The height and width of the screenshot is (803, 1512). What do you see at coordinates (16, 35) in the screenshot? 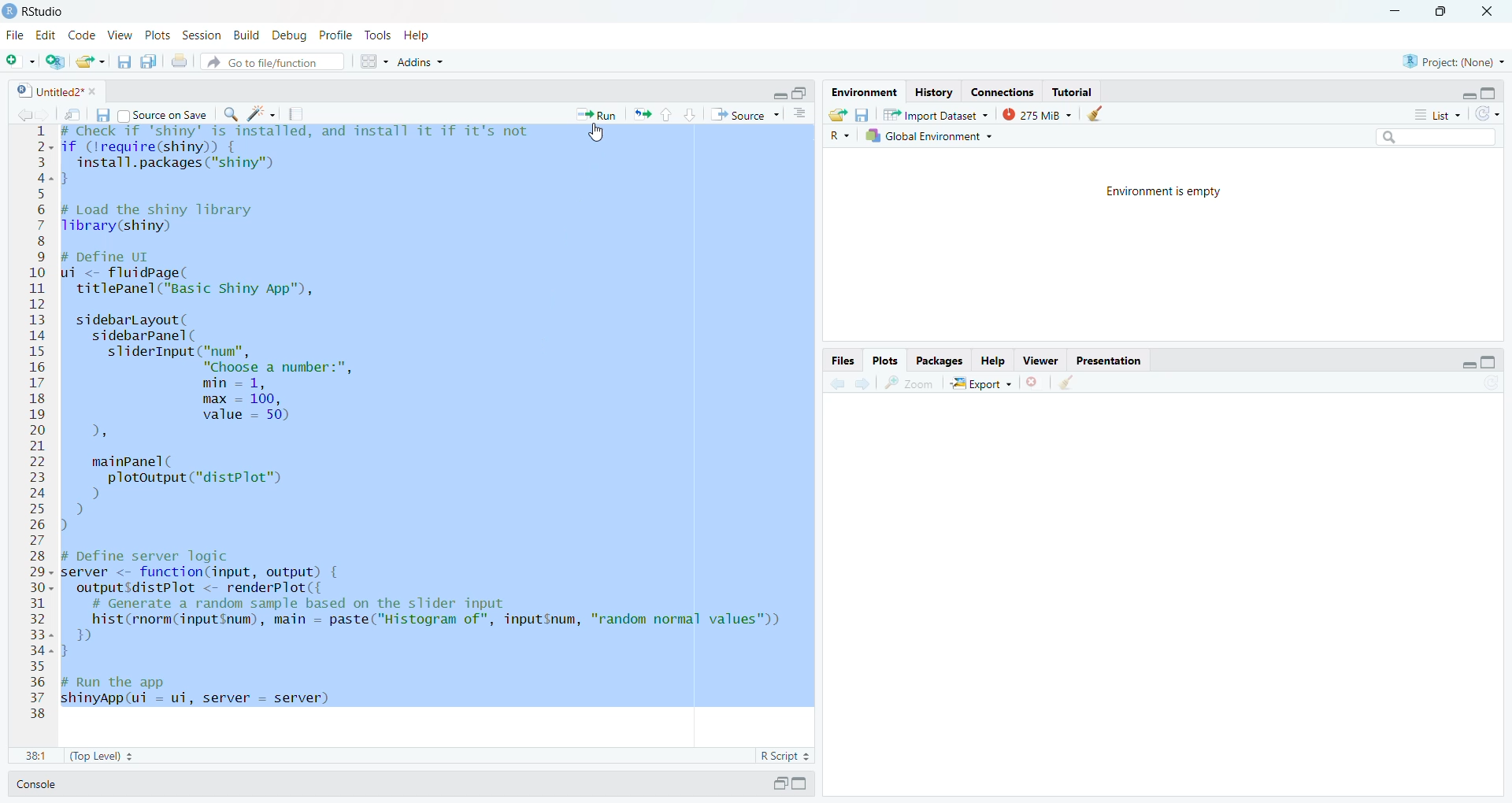
I see `File` at bounding box center [16, 35].